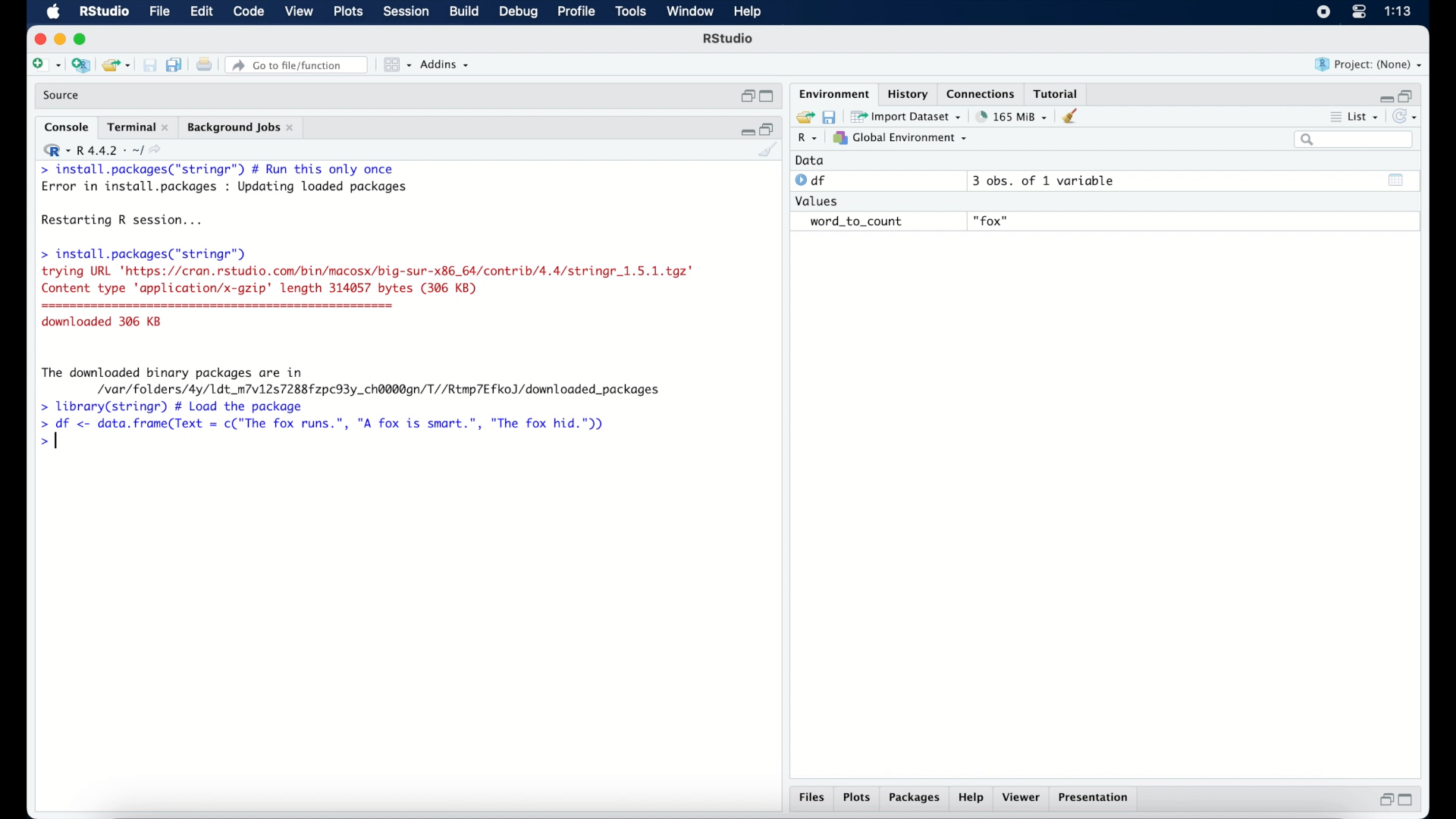 The height and width of the screenshot is (819, 1456). Describe the element at coordinates (1323, 13) in the screenshot. I see `screen recorder` at that location.